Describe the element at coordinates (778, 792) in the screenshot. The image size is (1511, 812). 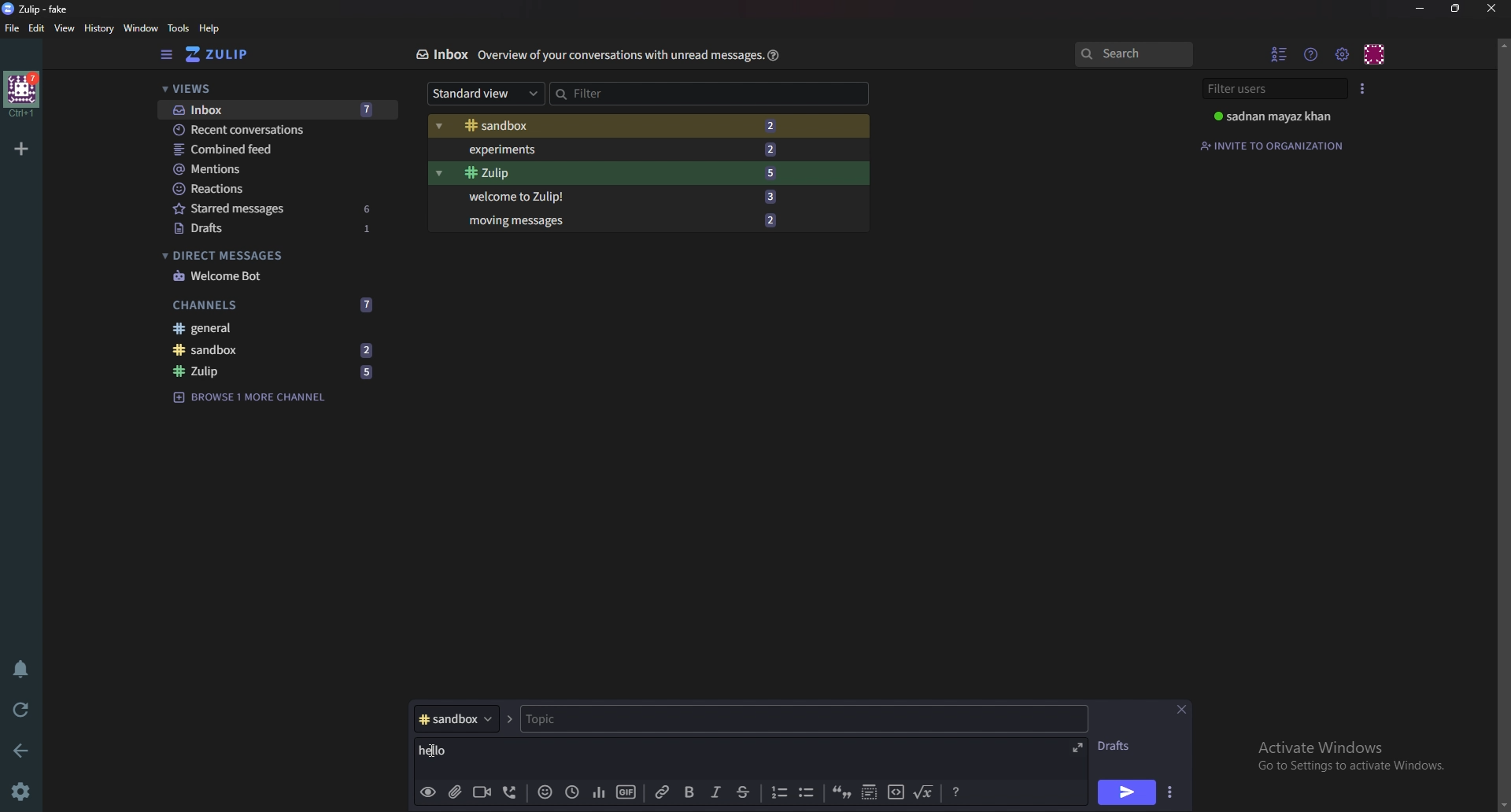
I see `Numbered list` at that location.